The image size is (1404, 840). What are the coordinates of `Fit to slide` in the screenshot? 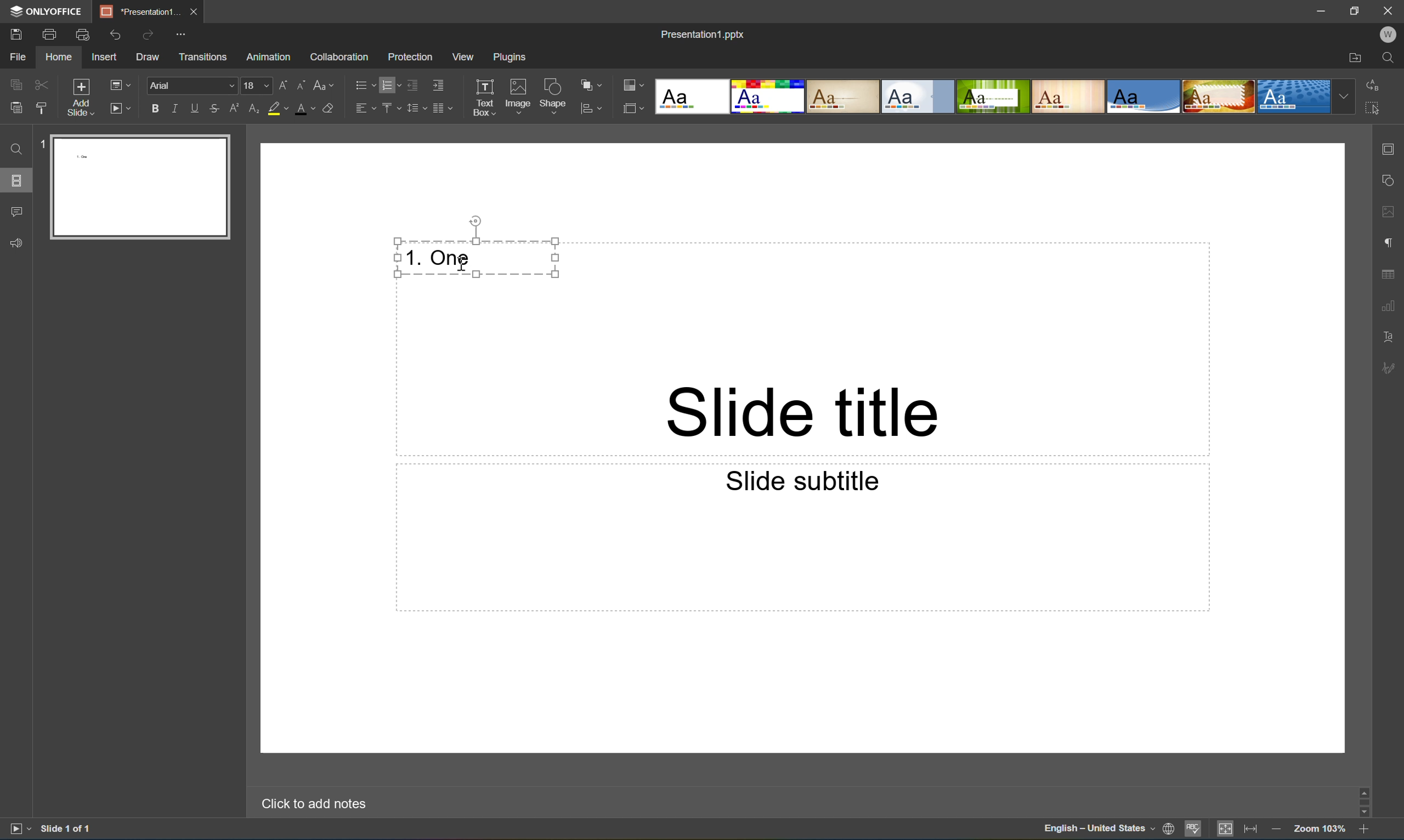 It's located at (1227, 828).